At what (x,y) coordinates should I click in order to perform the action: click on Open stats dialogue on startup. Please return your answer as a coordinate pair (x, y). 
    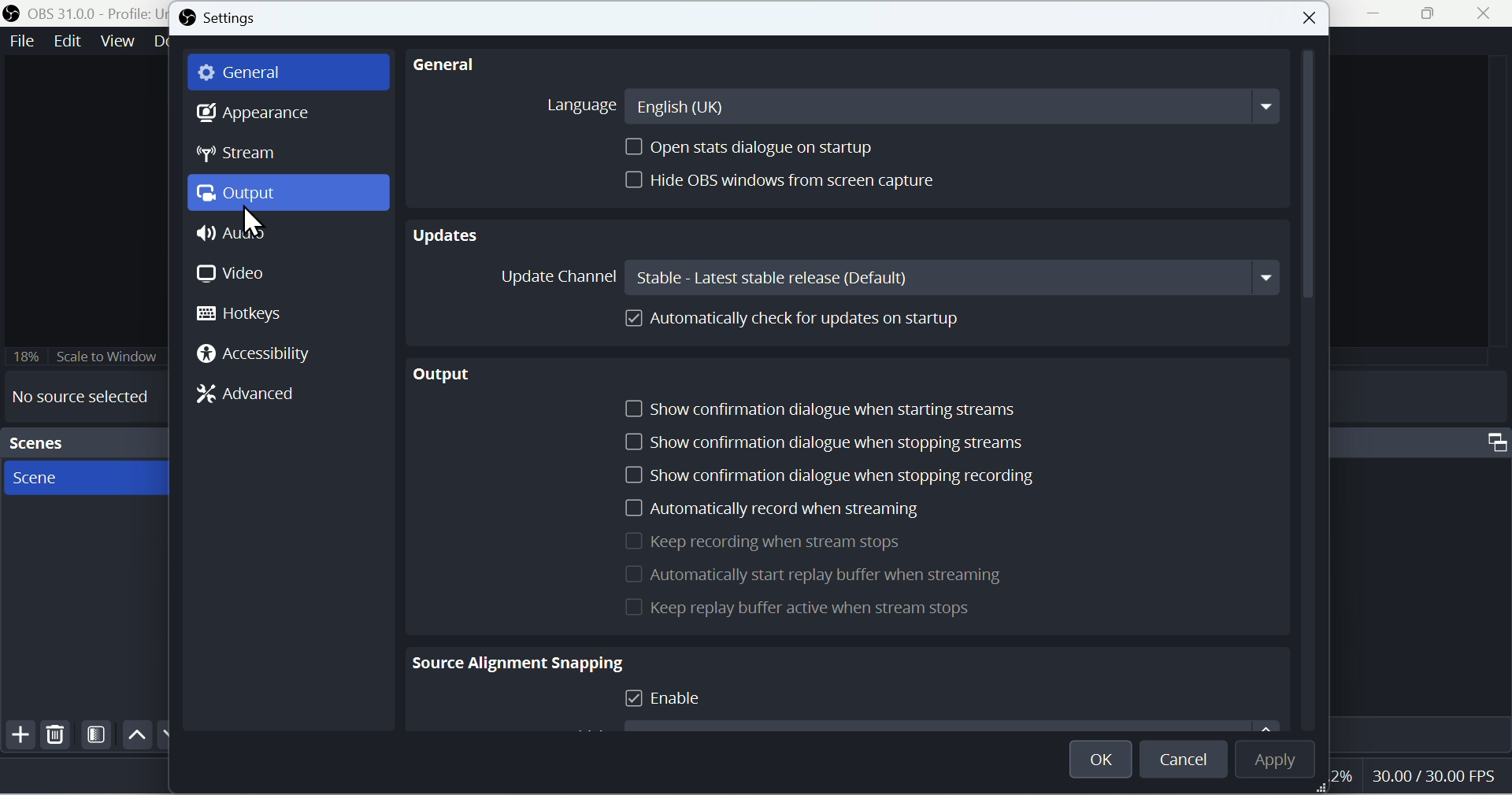
    Looking at the image, I should click on (748, 148).